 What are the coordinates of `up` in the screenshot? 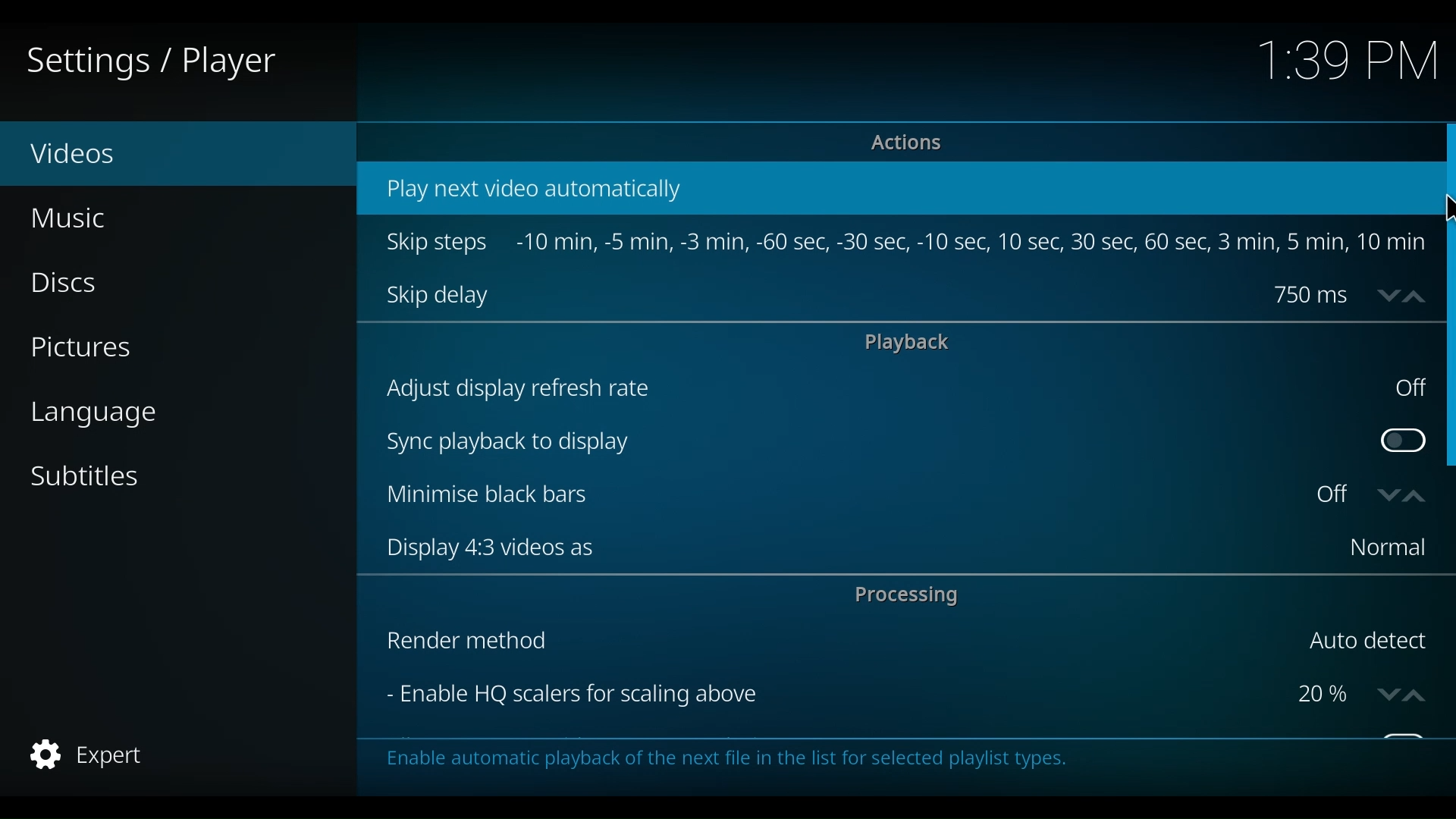 It's located at (1413, 494).